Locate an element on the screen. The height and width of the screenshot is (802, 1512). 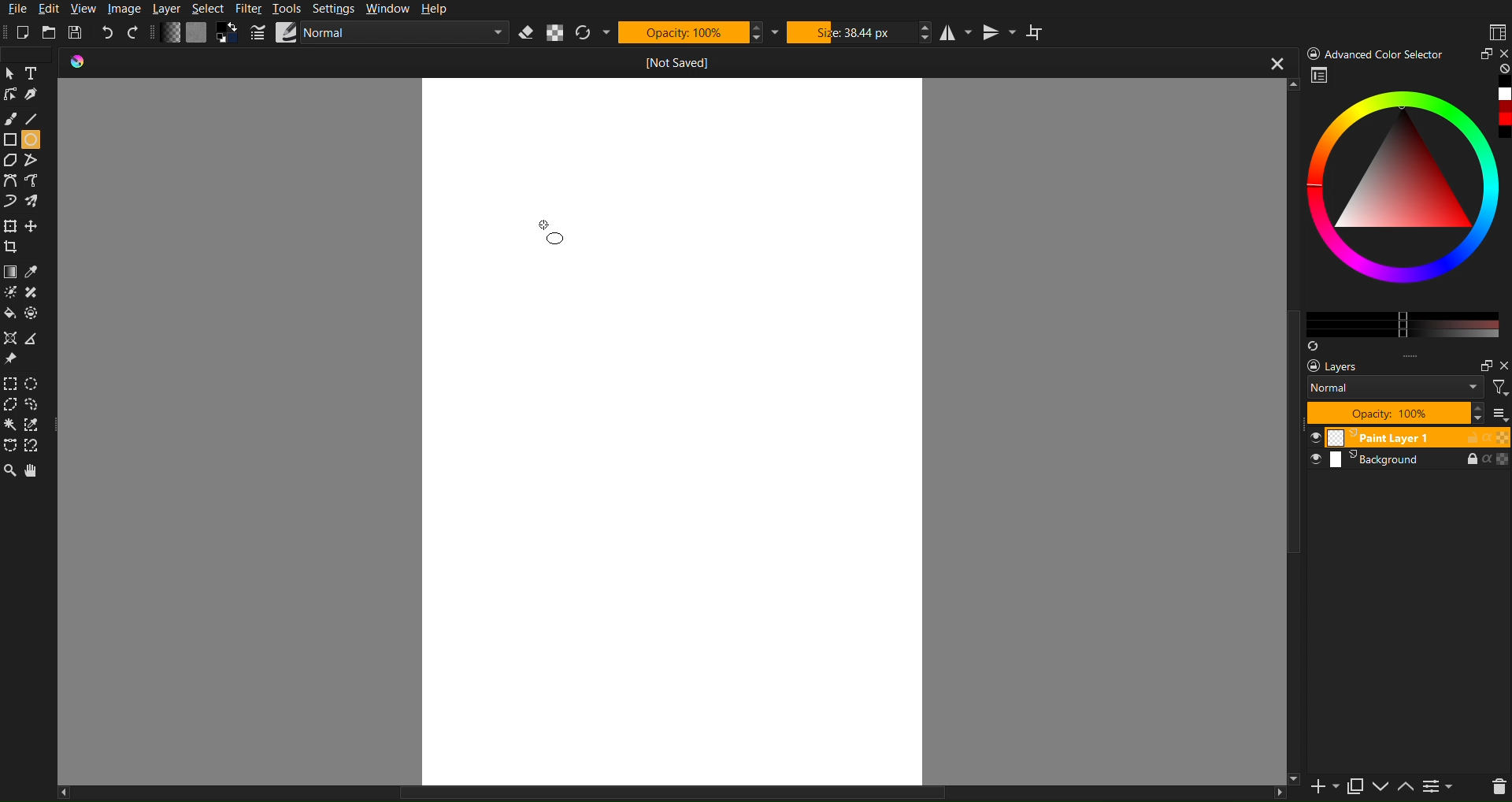
Window is located at coordinates (388, 7).